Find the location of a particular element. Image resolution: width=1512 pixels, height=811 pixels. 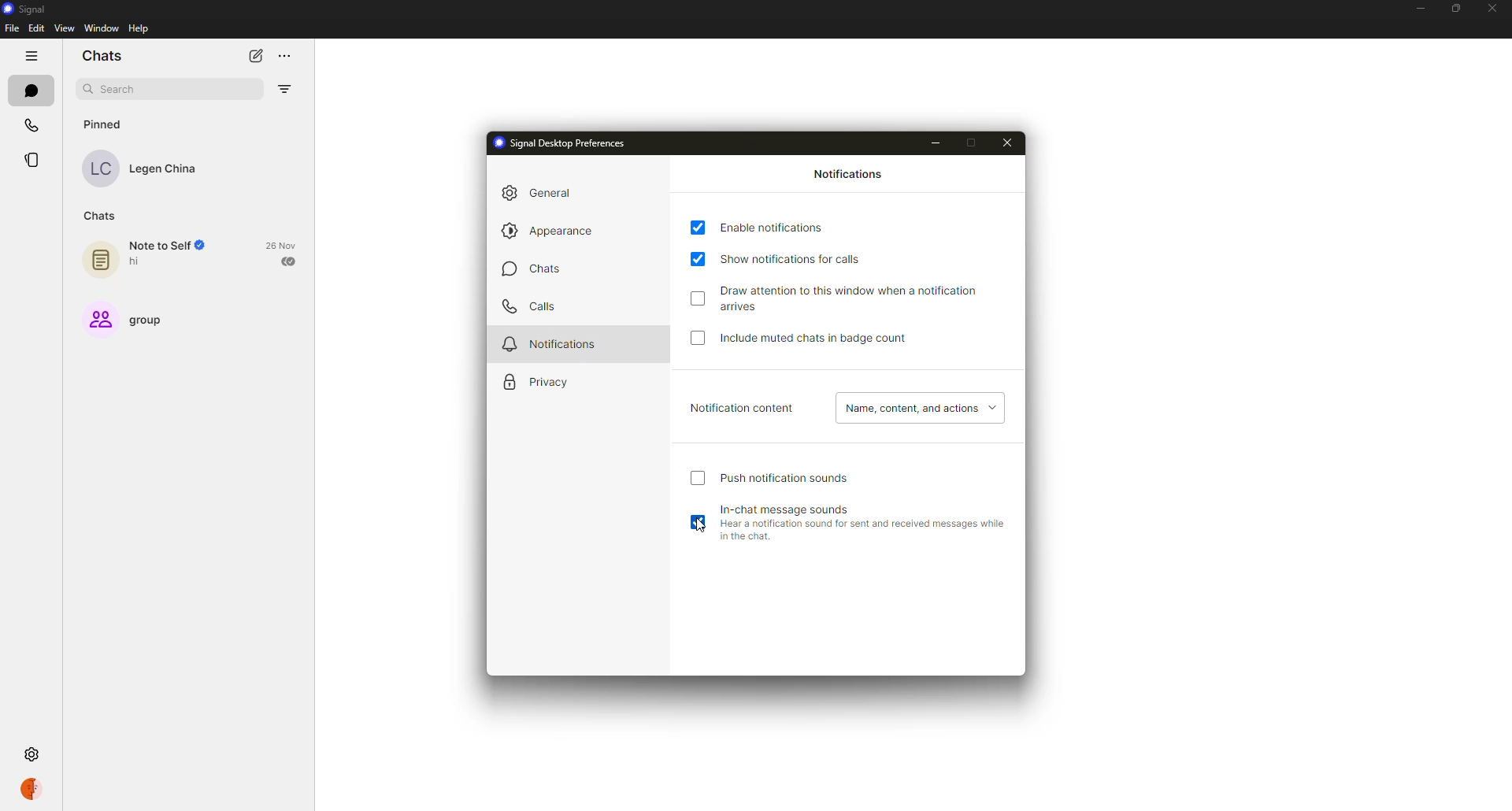

maximize is located at coordinates (972, 140).